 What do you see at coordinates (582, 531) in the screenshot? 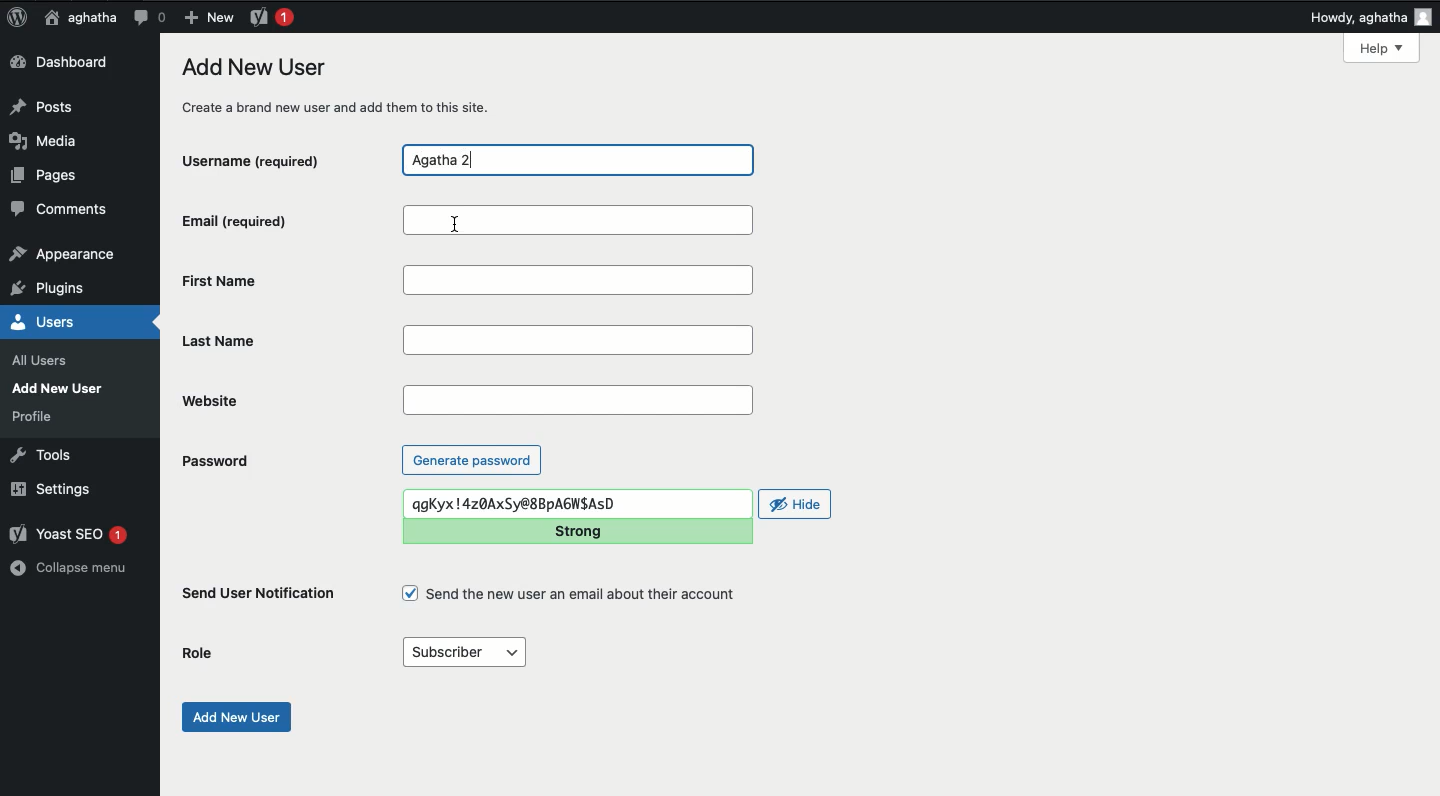
I see `Strong` at bounding box center [582, 531].